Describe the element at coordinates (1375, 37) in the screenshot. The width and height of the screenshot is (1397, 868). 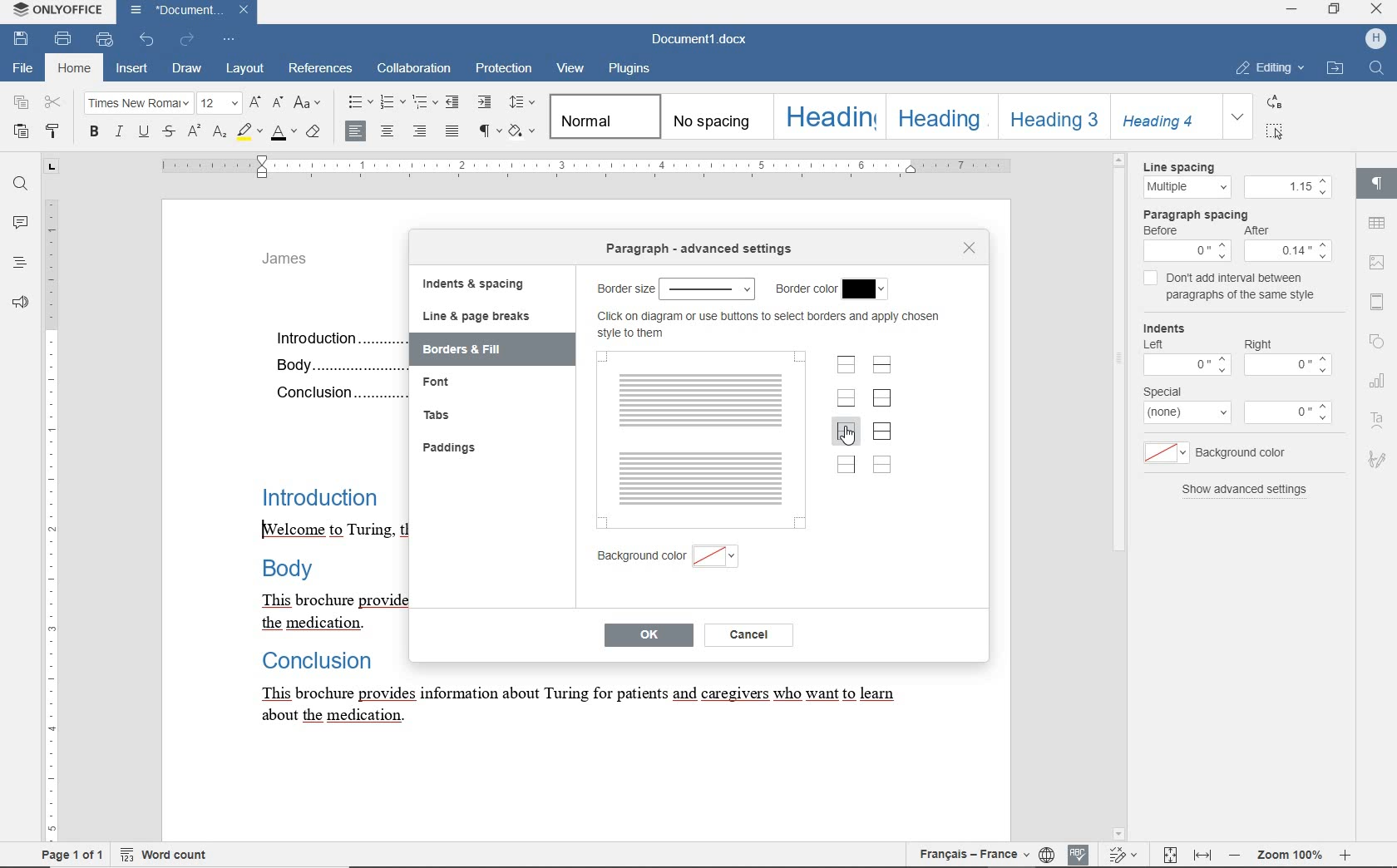
I see `icon` at that location.